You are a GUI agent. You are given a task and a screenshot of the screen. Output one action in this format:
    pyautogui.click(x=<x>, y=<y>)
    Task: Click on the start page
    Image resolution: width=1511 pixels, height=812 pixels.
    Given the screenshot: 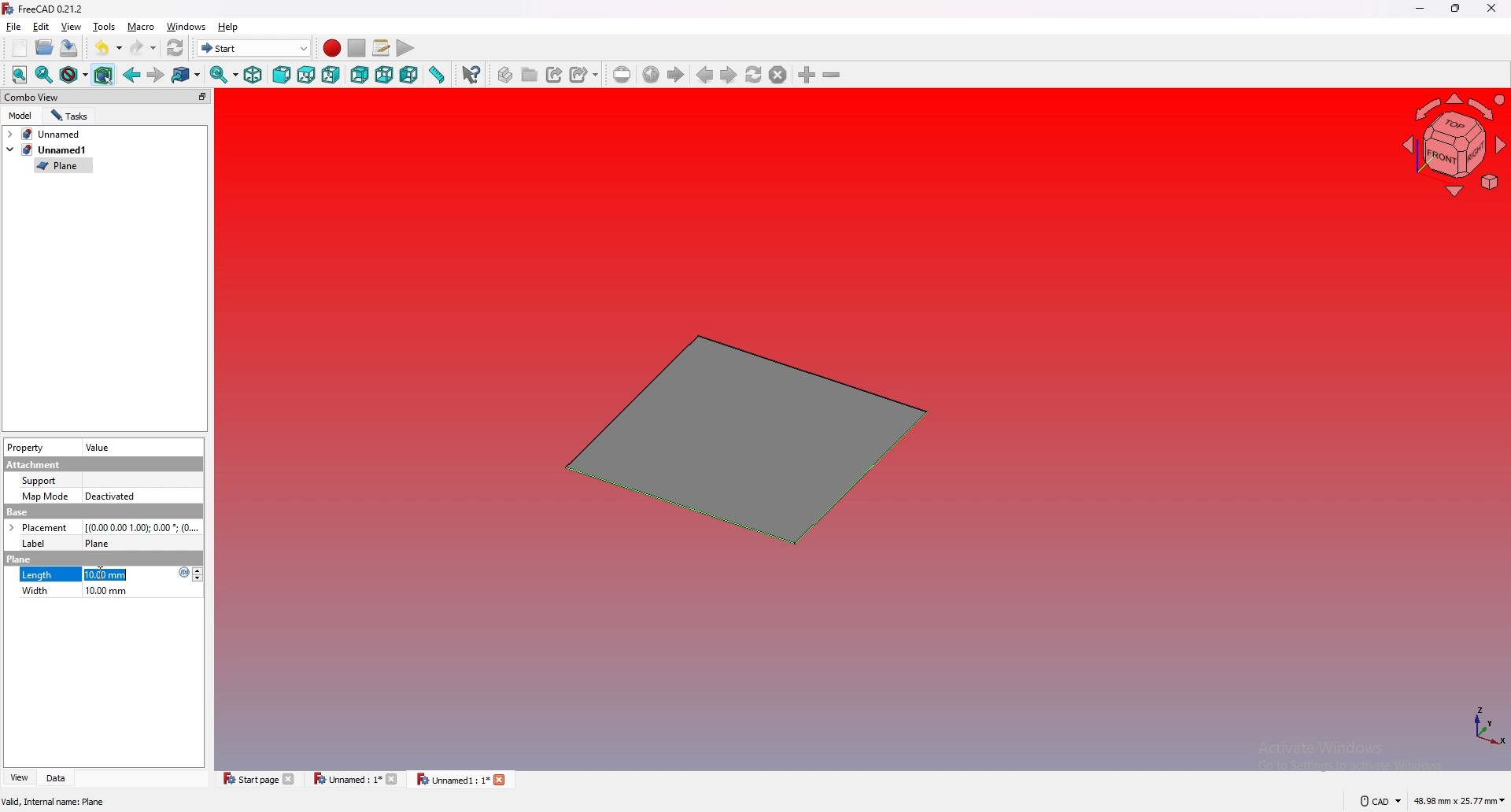 What is the action you would take?
    pyautogui.click(x=260, y=777)
    